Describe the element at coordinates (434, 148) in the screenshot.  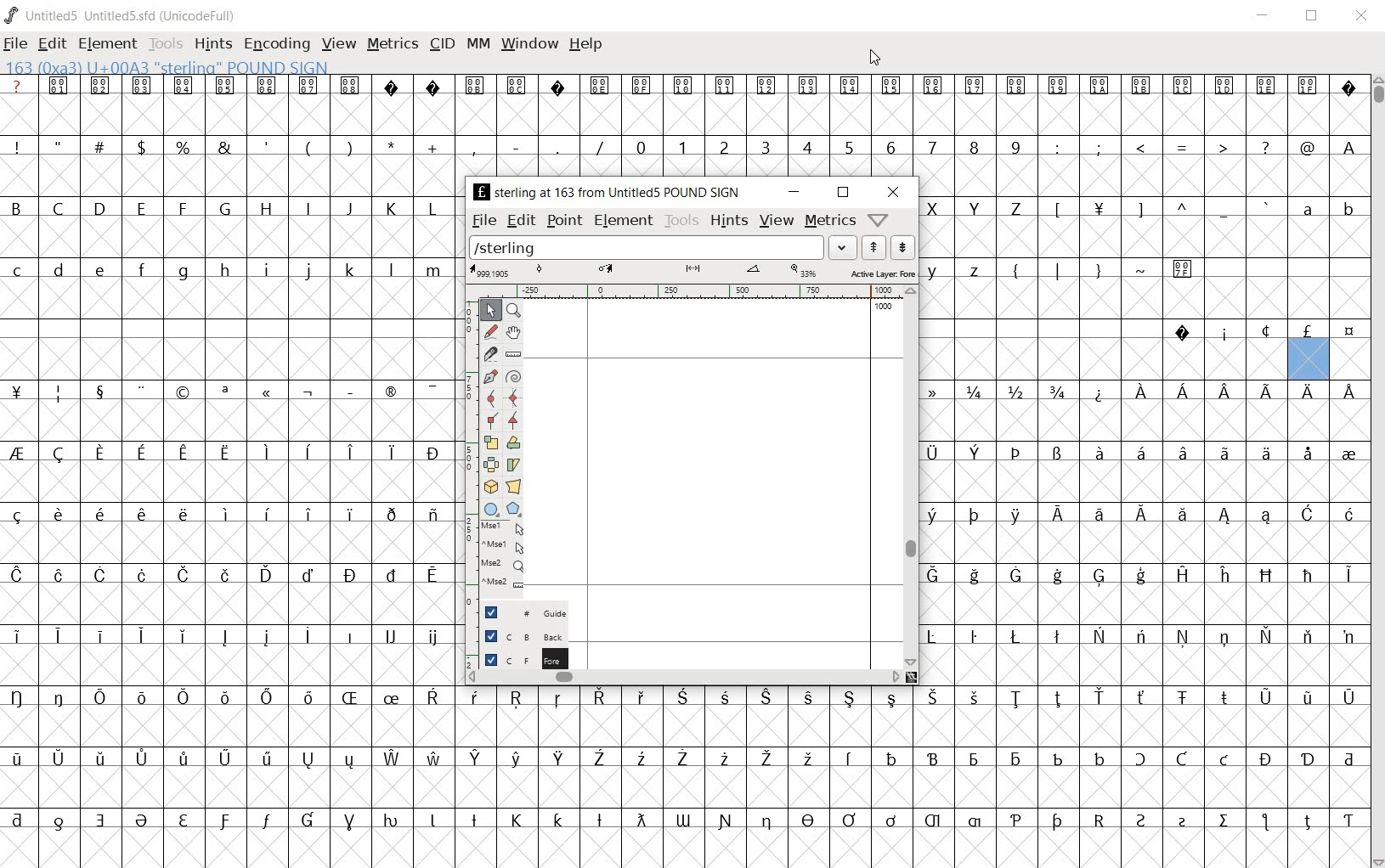
I see `+` at that location.